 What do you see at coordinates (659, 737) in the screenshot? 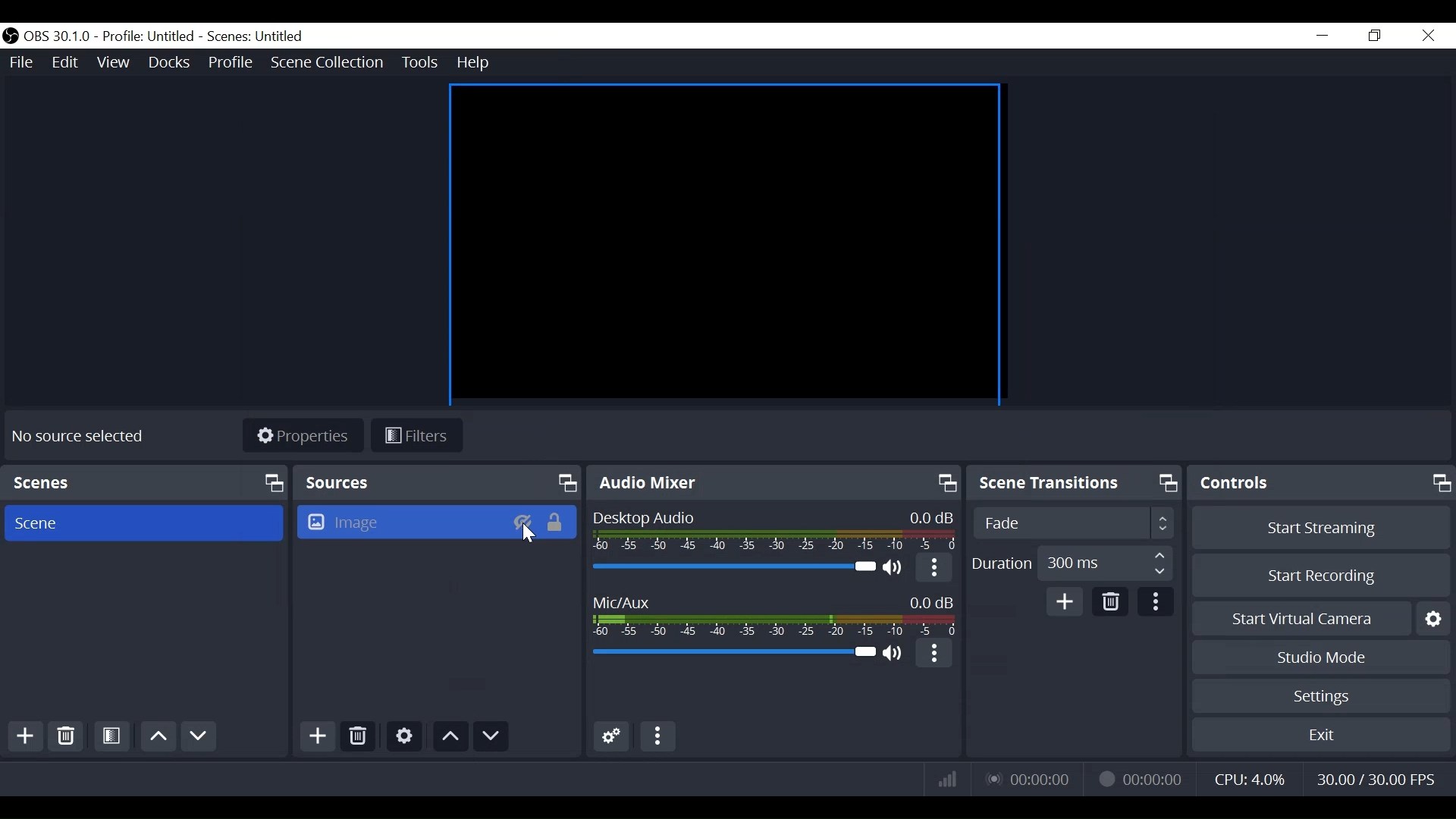
I see `more options` at bounding box center [659, 737].